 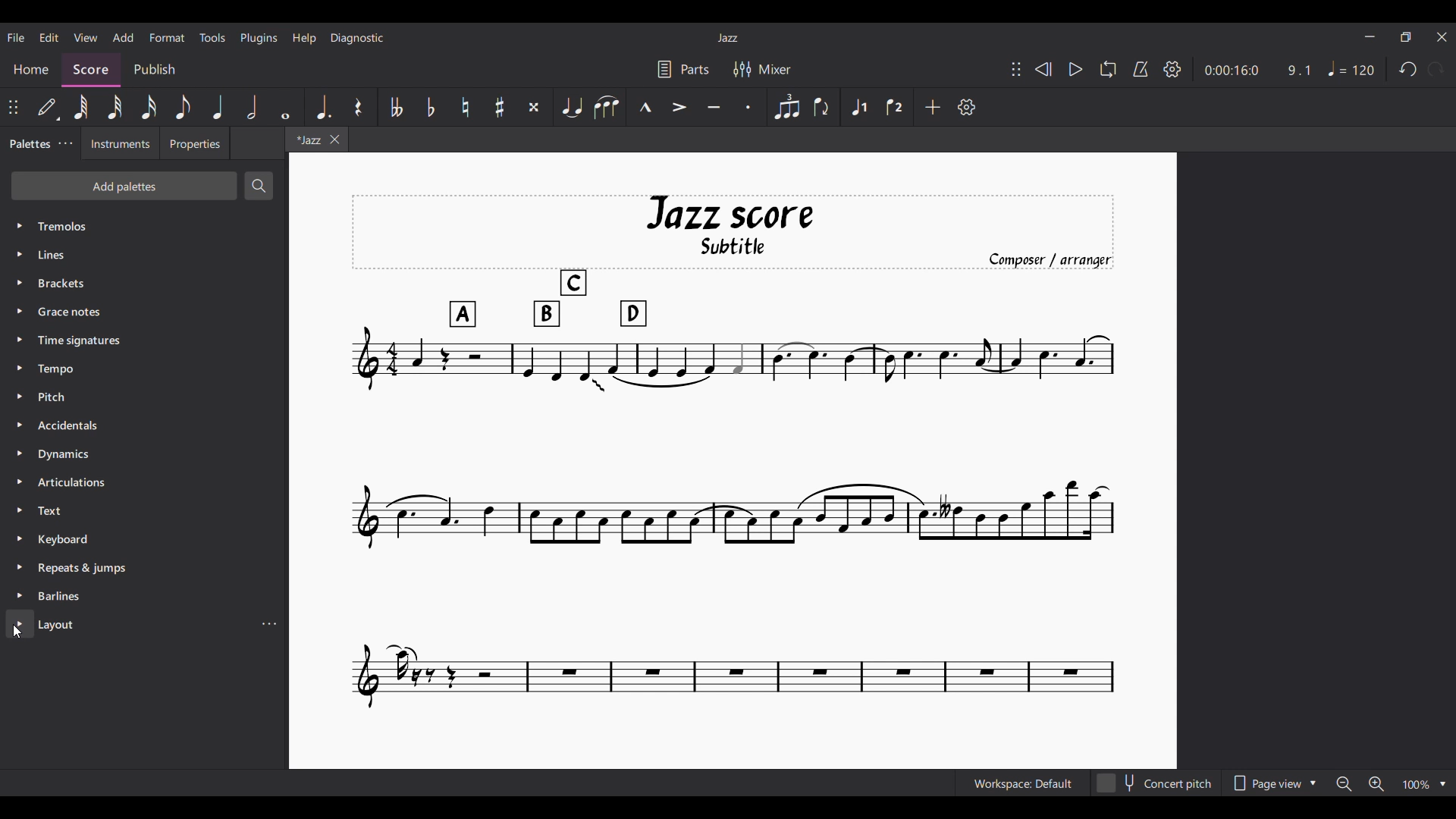 I want to click on Publish section, so click(x=155, y=71).